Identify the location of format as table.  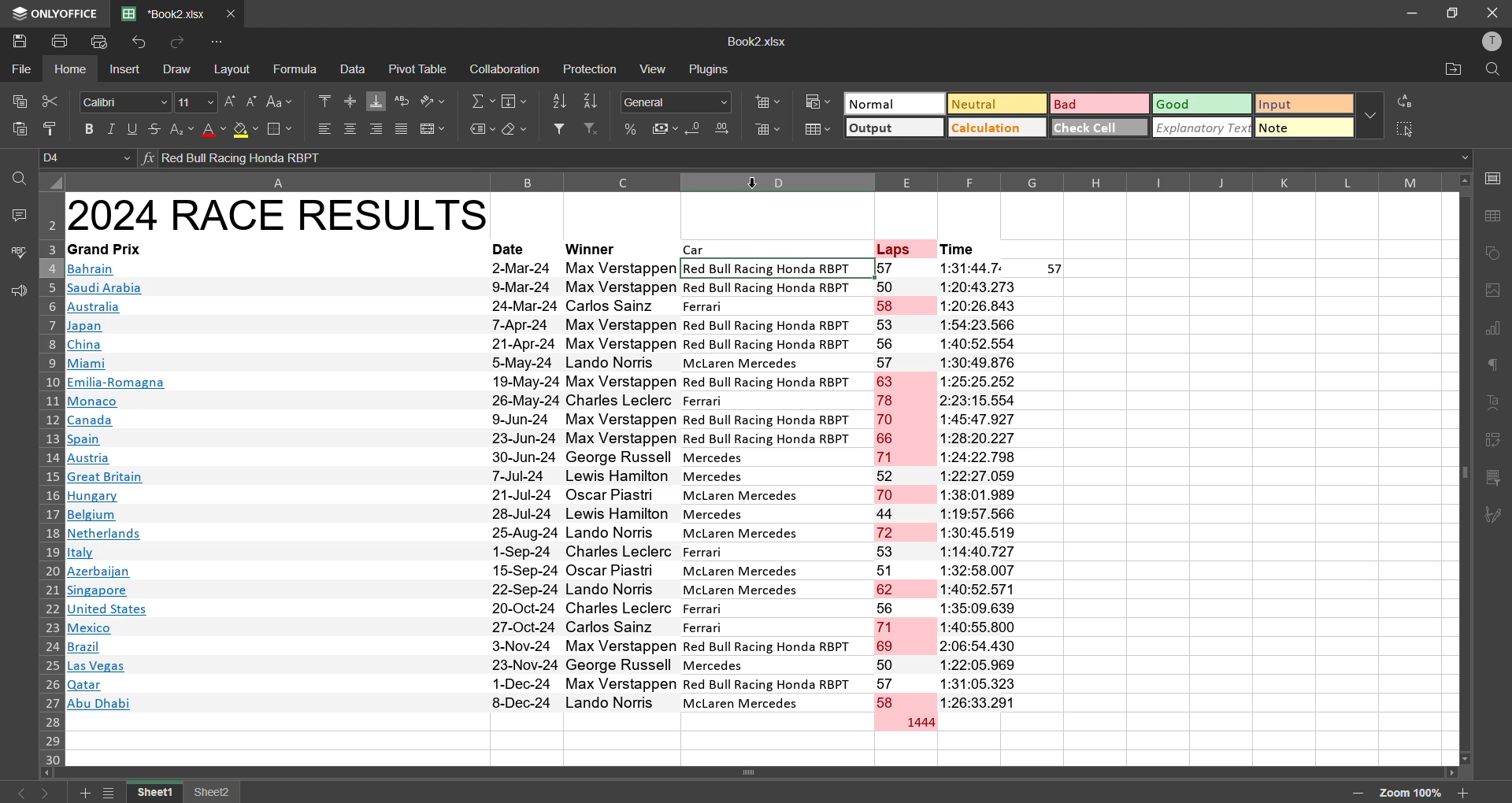
(819, 131).